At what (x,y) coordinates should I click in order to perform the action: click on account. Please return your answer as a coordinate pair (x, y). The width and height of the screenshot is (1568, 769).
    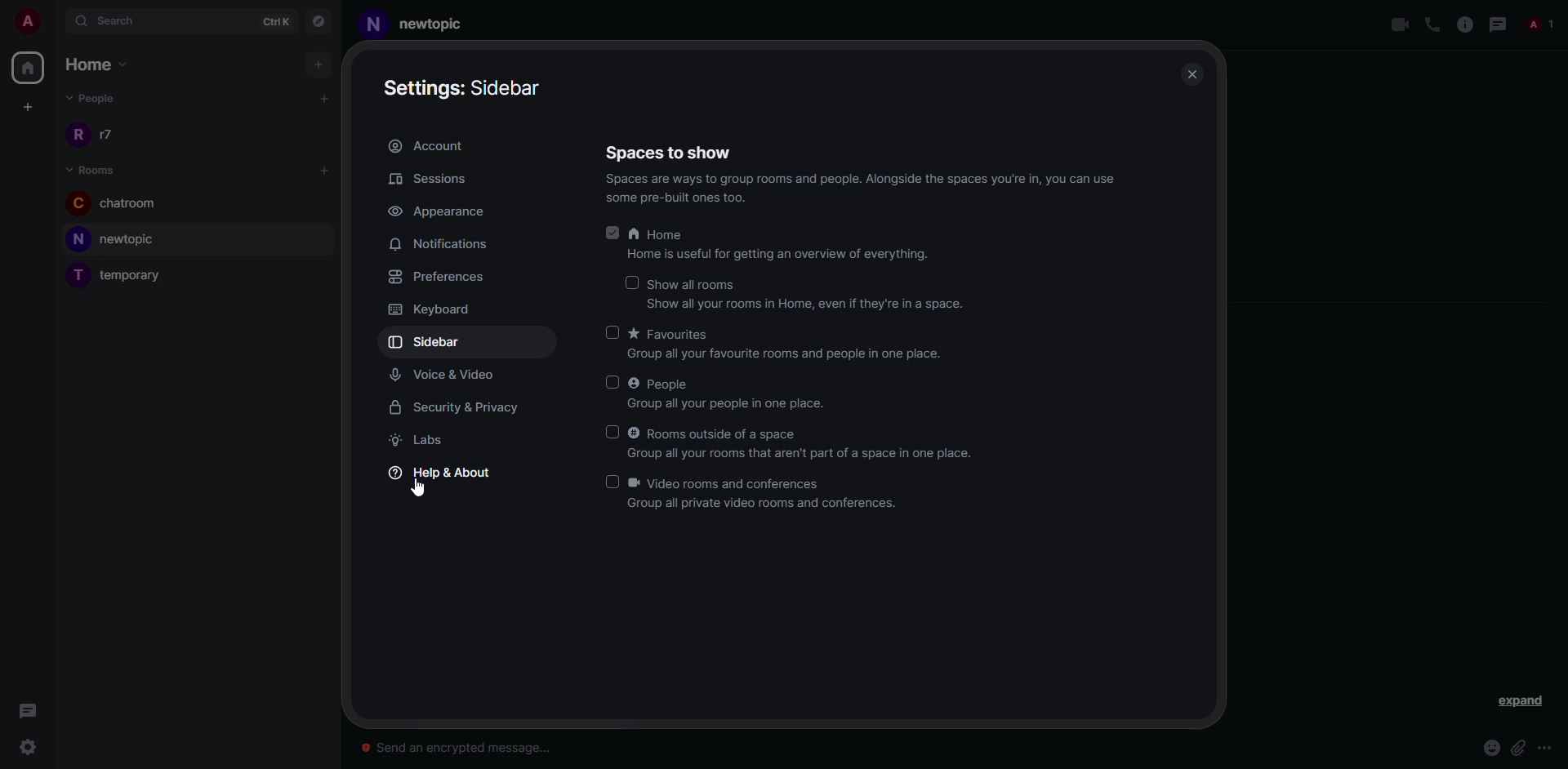
    Looking at the image, I should click on (25, 22).